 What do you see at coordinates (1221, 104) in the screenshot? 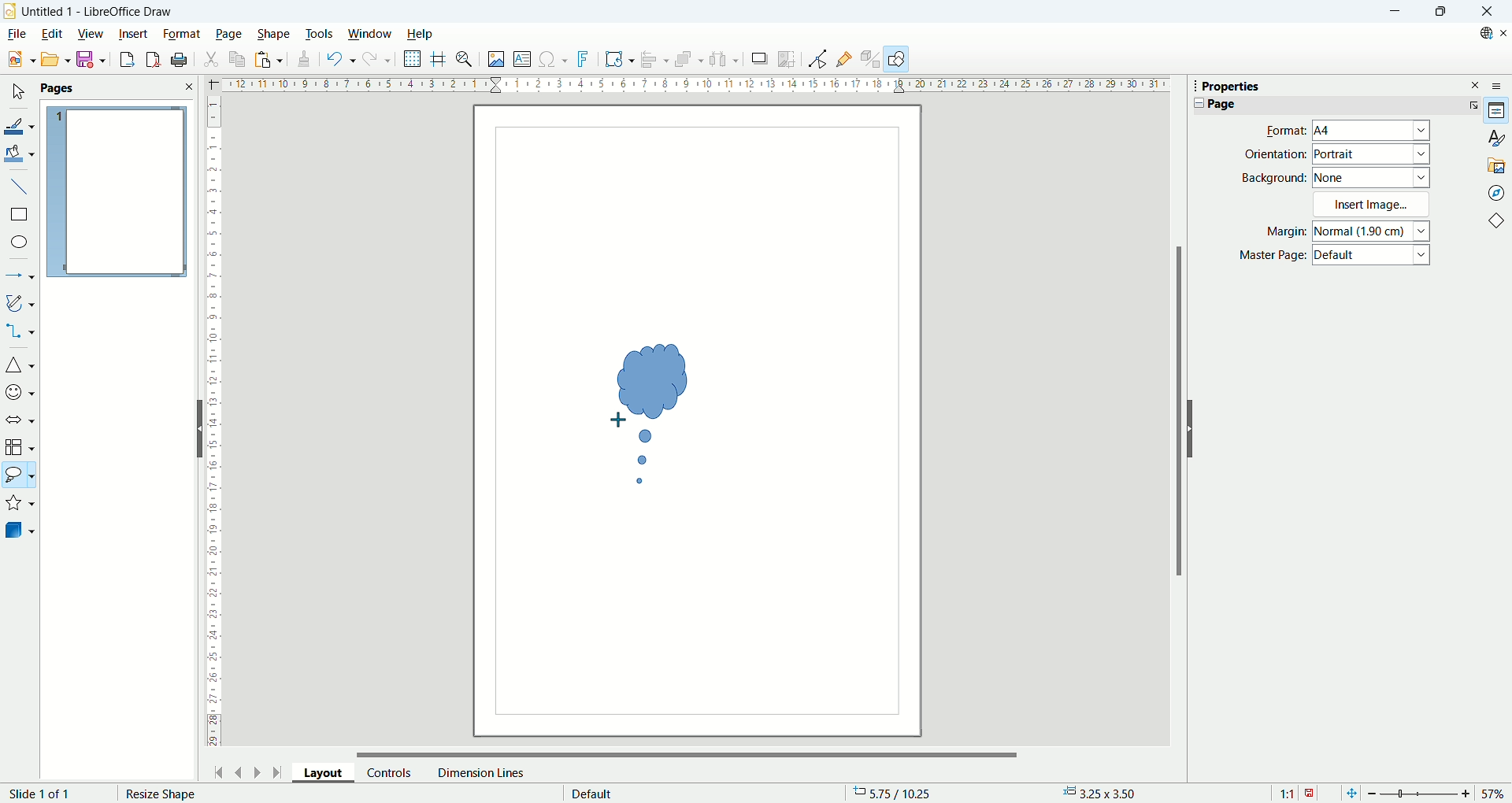
I see `Page` at bounding box center [1221, 104].